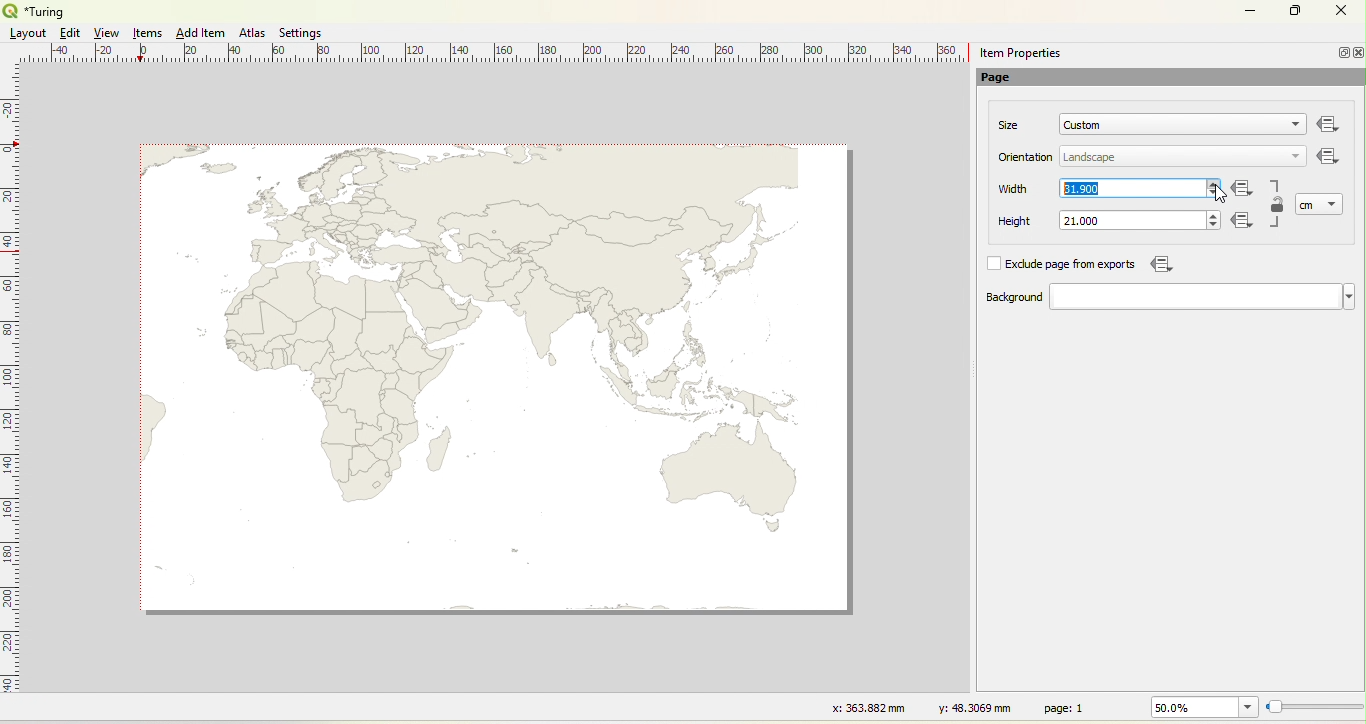 This screenshot has height=724, width=1366. I want to click on decrease, so click(1213, 194).